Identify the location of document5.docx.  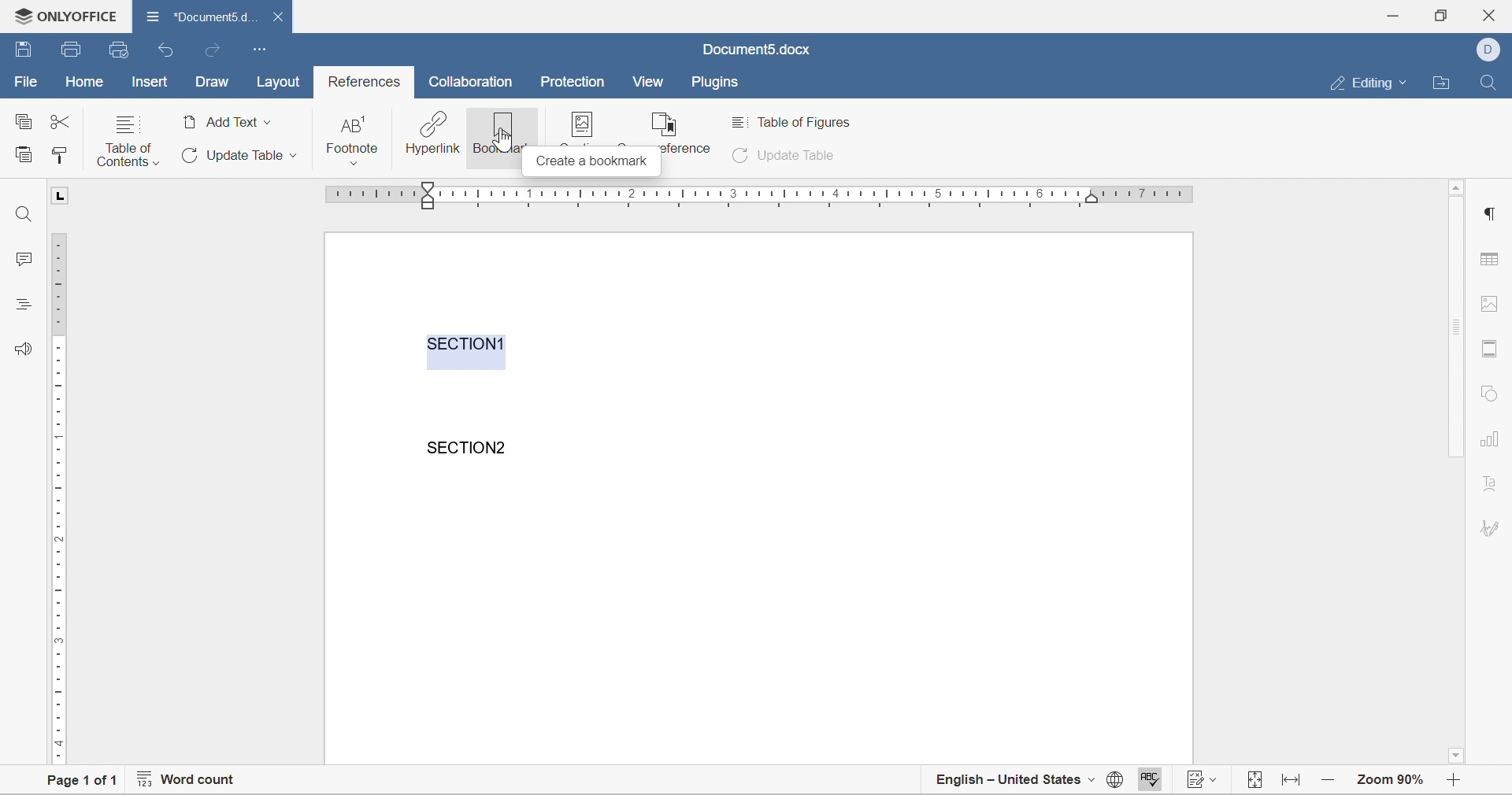
(755, 50).